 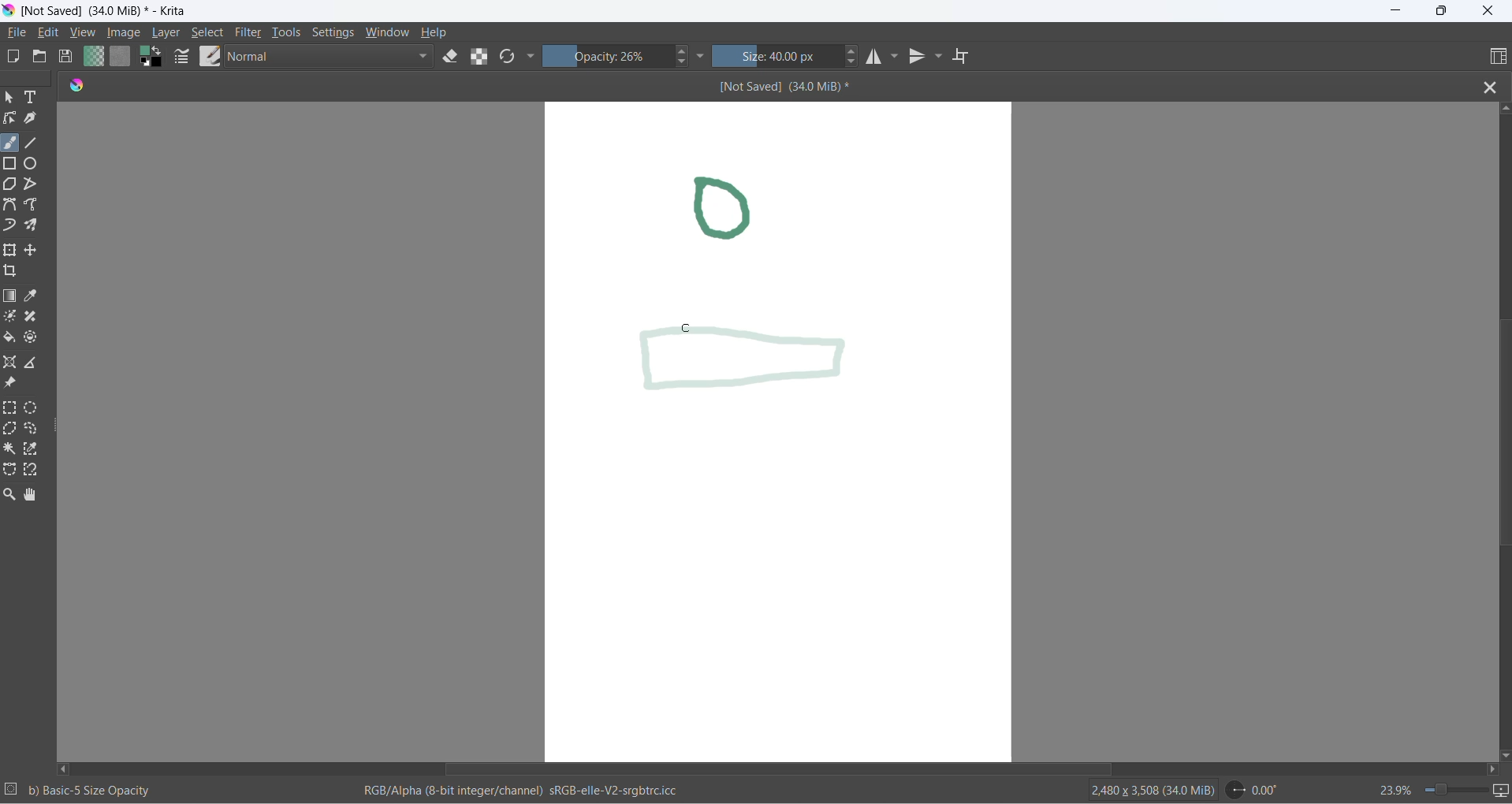 I want to click on horizontal mirror setting dropdown button, so click(x=896, y=54).